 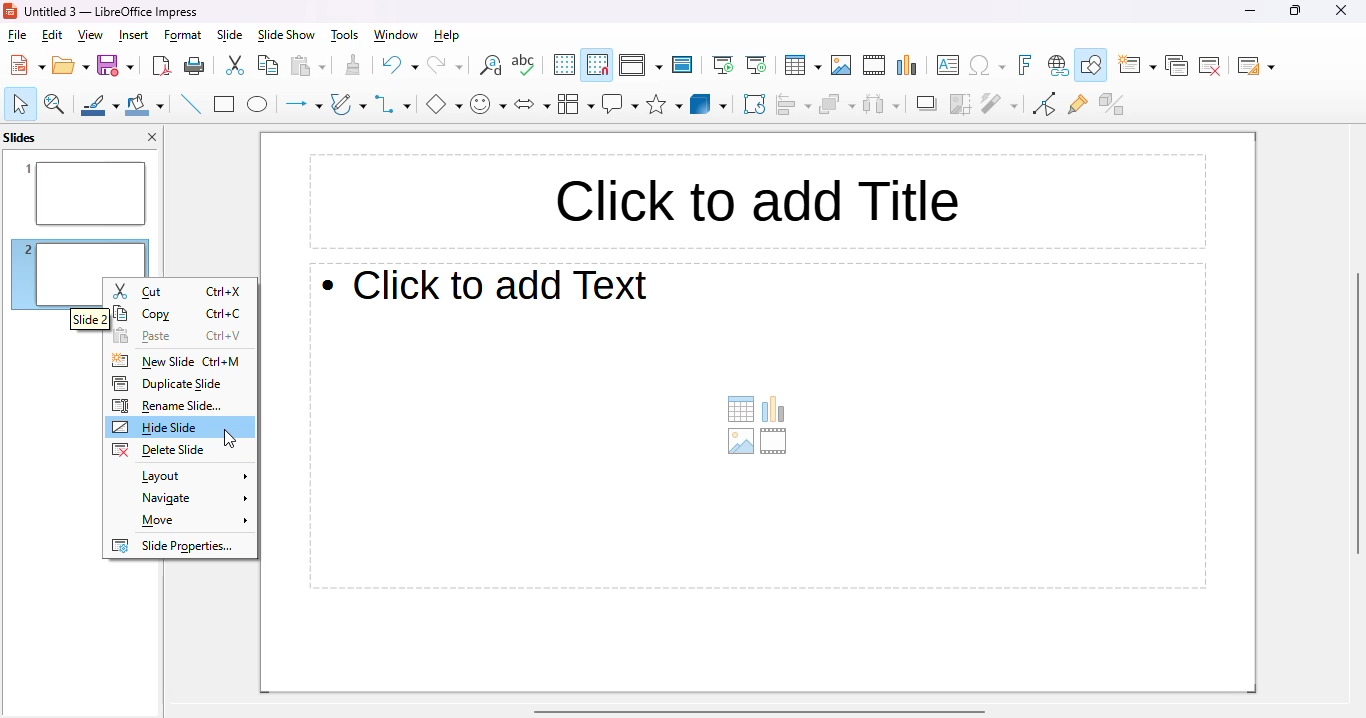 I want to click on slides, so click(x=20, y=137).